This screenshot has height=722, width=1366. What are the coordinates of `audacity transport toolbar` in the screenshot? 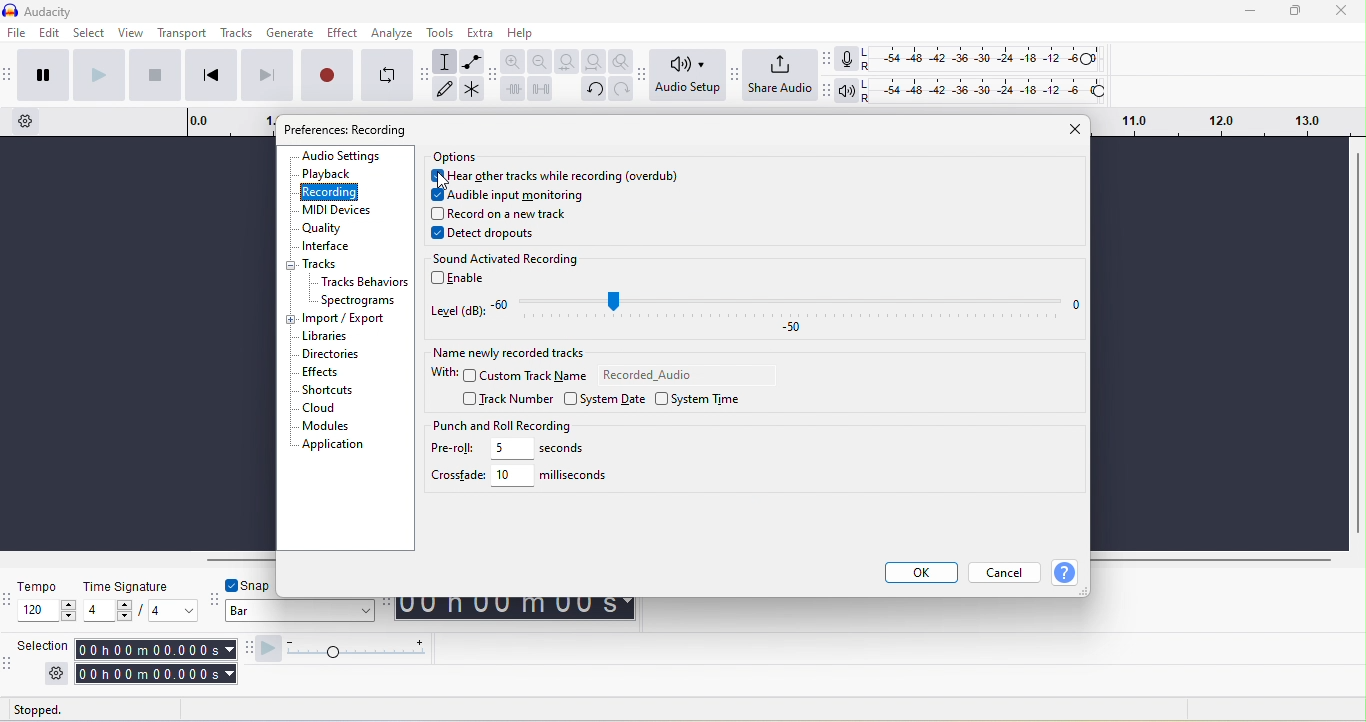 It's located at (9, 75).